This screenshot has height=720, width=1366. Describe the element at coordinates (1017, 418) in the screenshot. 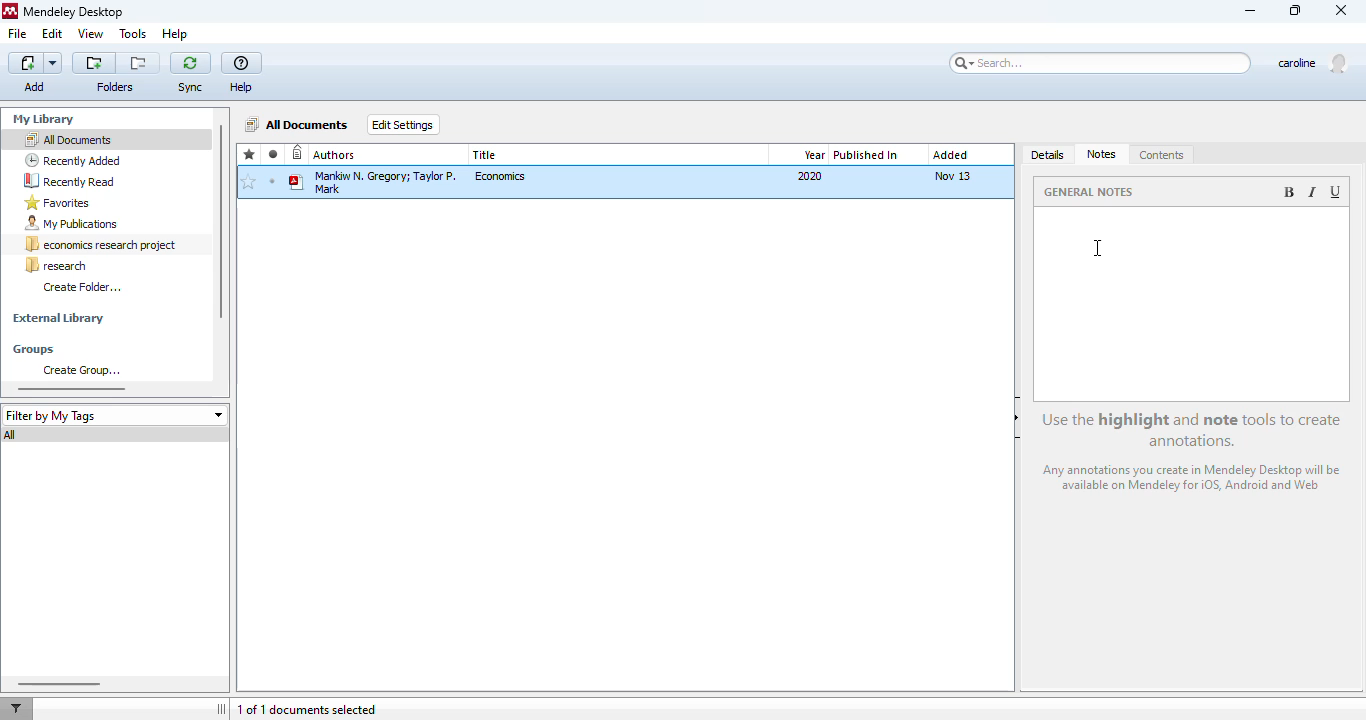

I see `hide` at that location.